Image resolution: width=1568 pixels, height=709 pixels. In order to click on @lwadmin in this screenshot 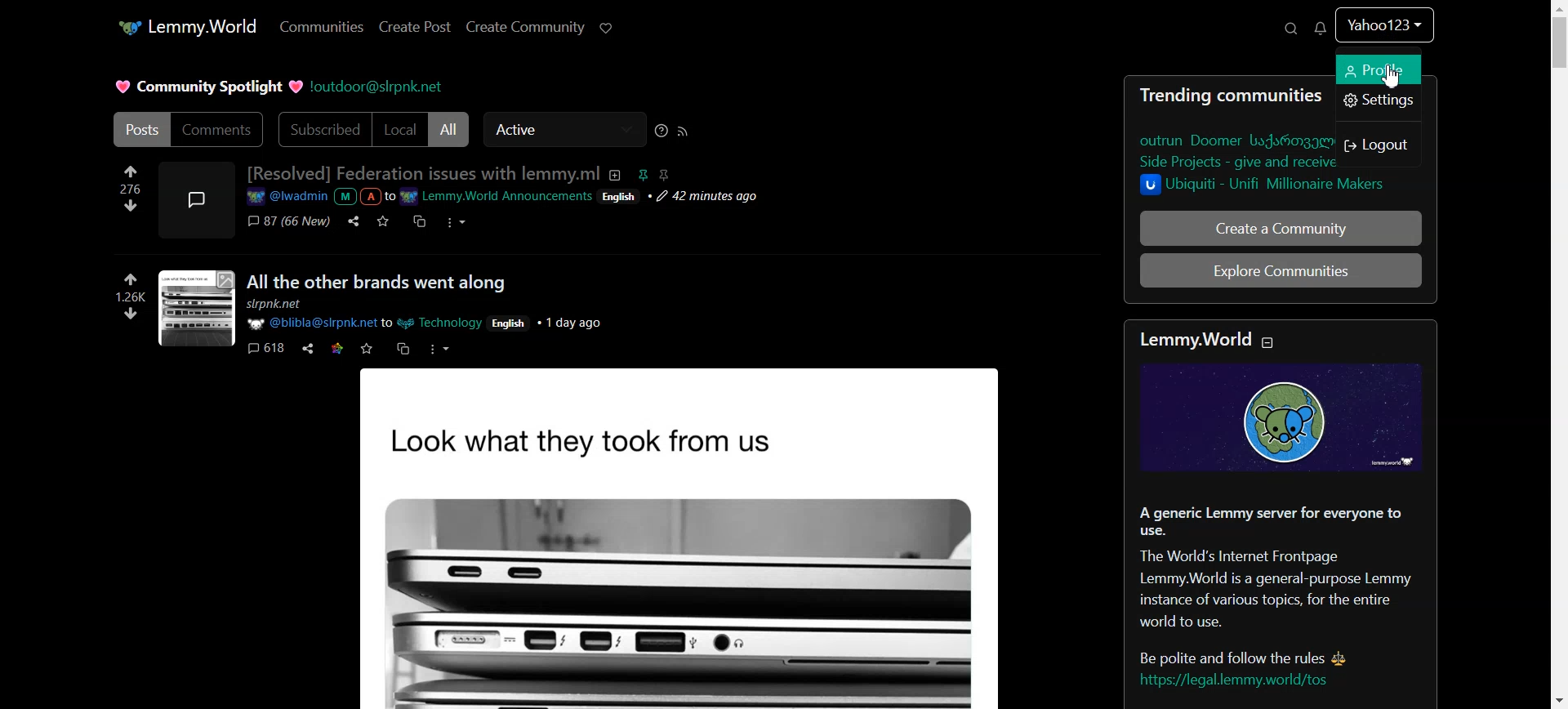, I will do `click(286, 198)`.